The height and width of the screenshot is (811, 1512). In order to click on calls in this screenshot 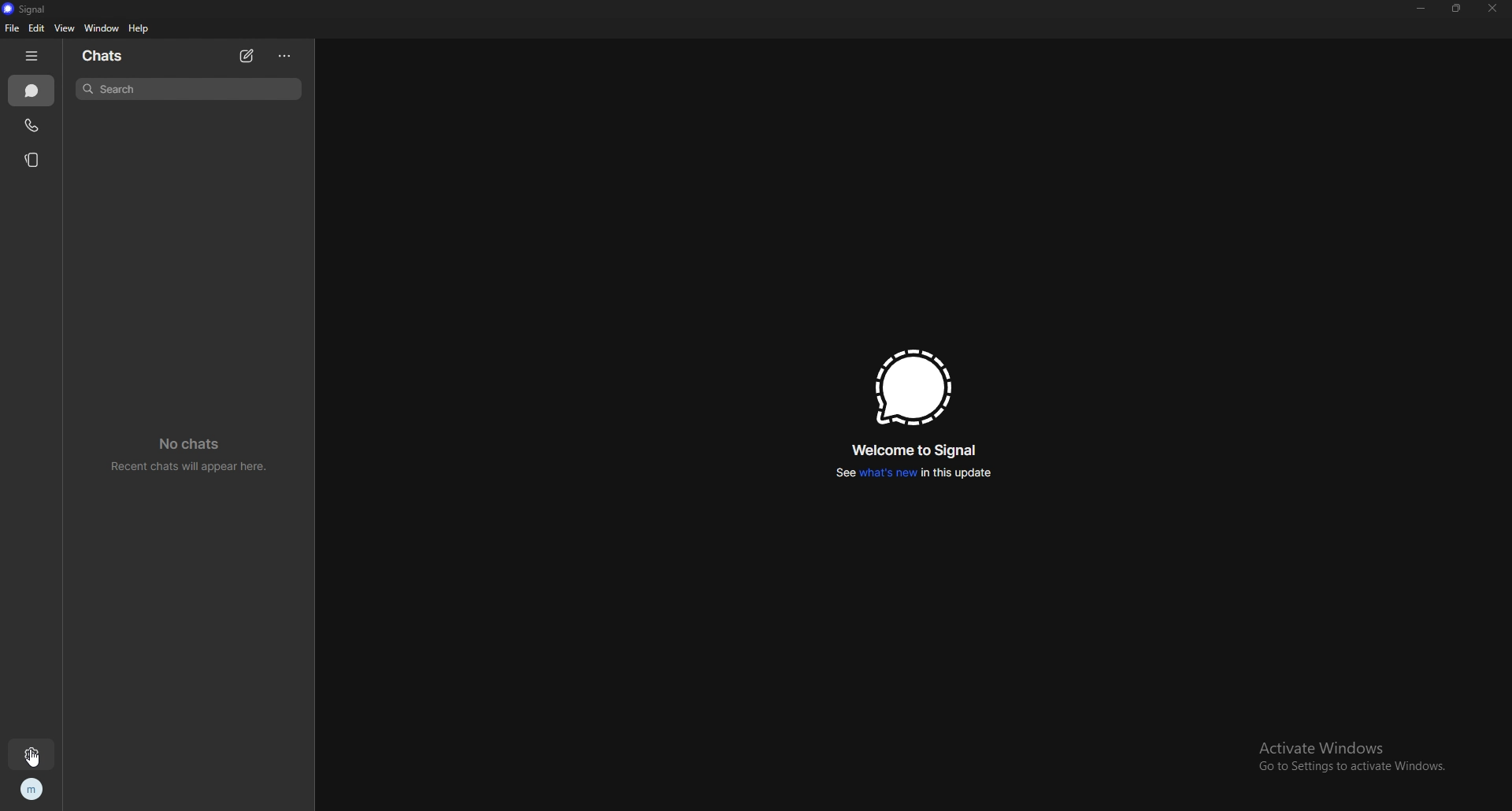, I will do `click(35, 124)`.